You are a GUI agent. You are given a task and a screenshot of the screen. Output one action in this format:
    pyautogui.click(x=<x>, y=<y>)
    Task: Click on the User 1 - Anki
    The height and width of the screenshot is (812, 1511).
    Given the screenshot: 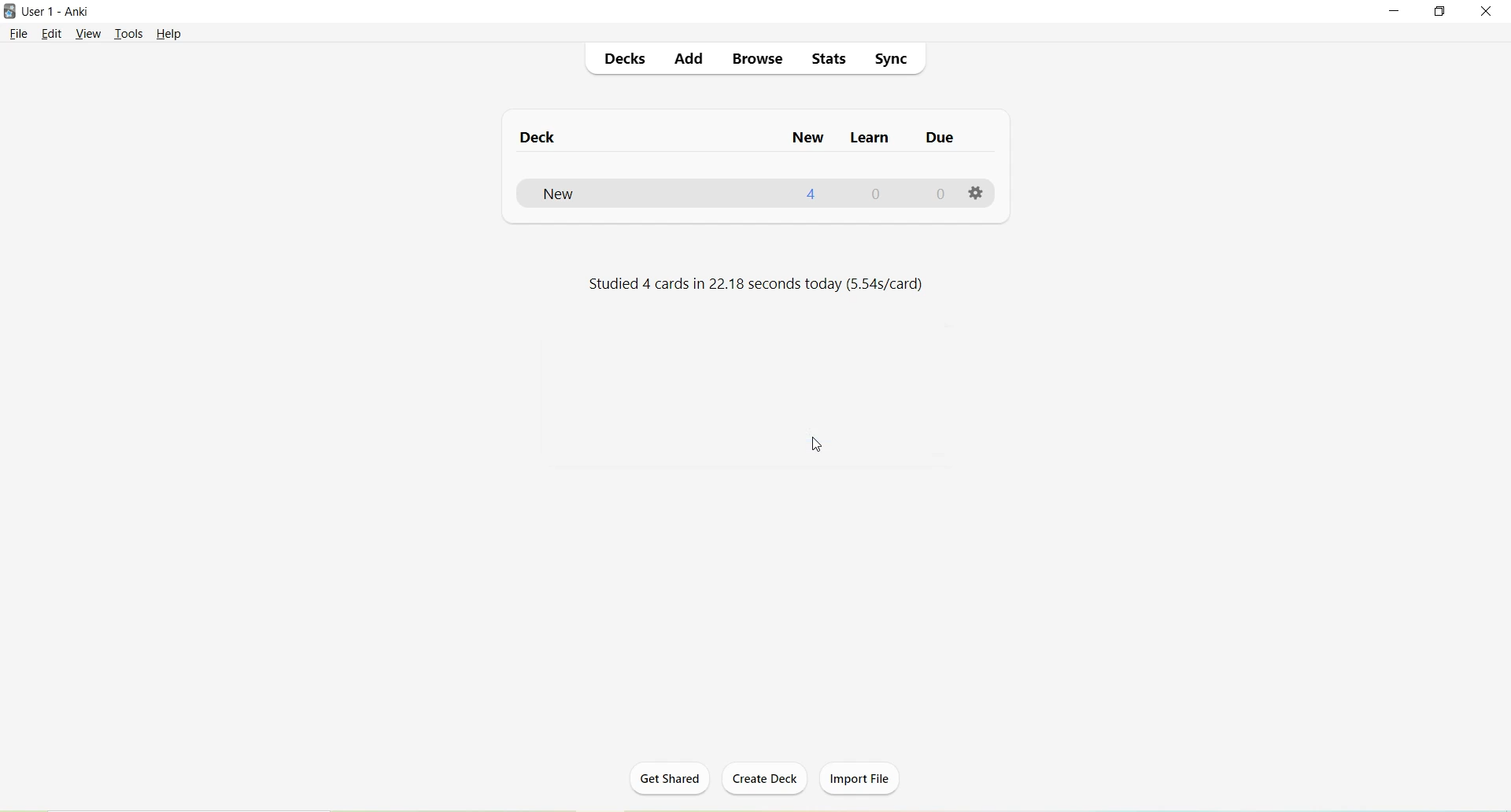 What is the action you would take?
    pyautogui.click(x=57, y=11)
    